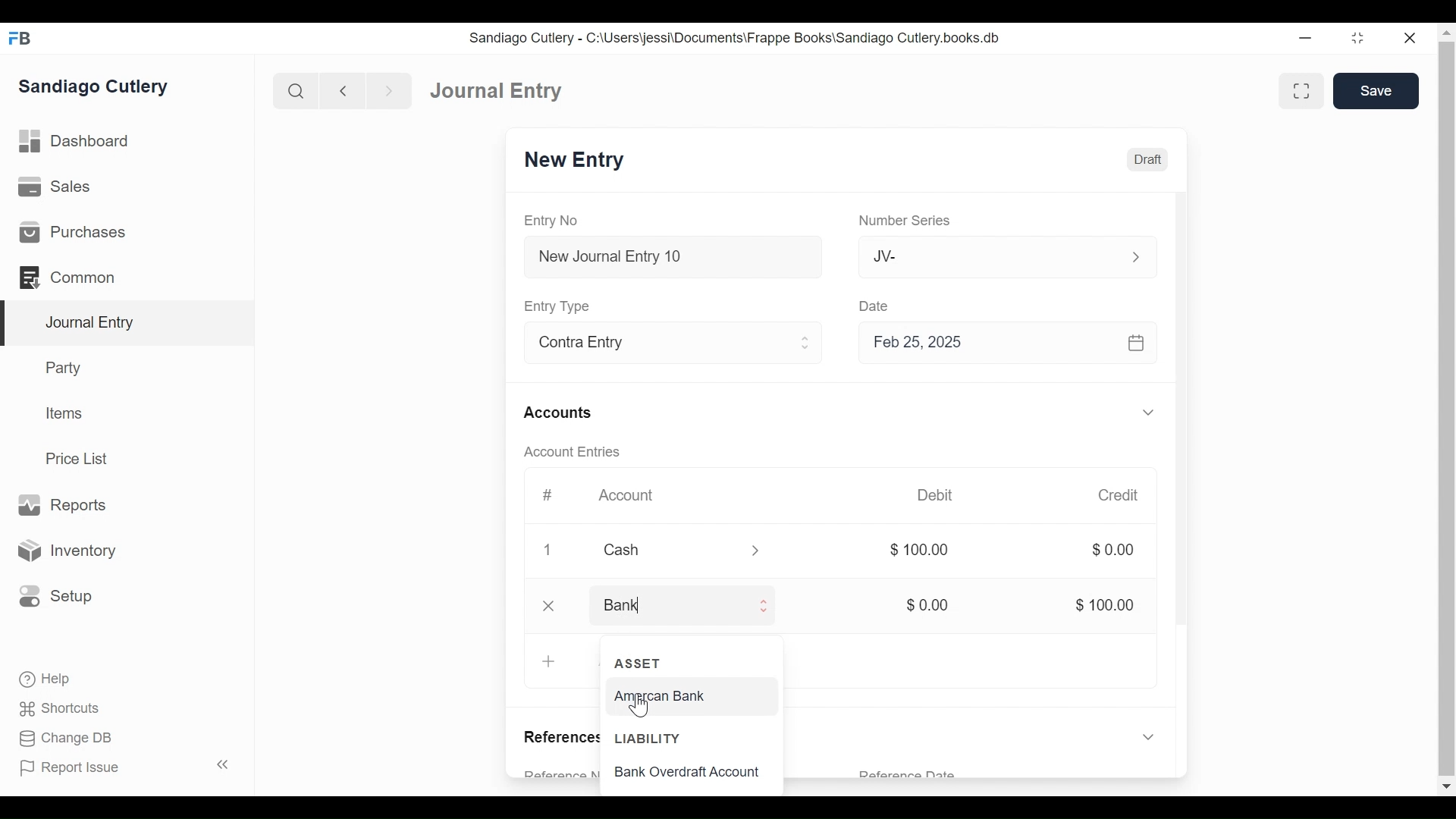  Describe the element at coordinates (655, 346) in the screenshot. I see `Contra Entry` at that location.